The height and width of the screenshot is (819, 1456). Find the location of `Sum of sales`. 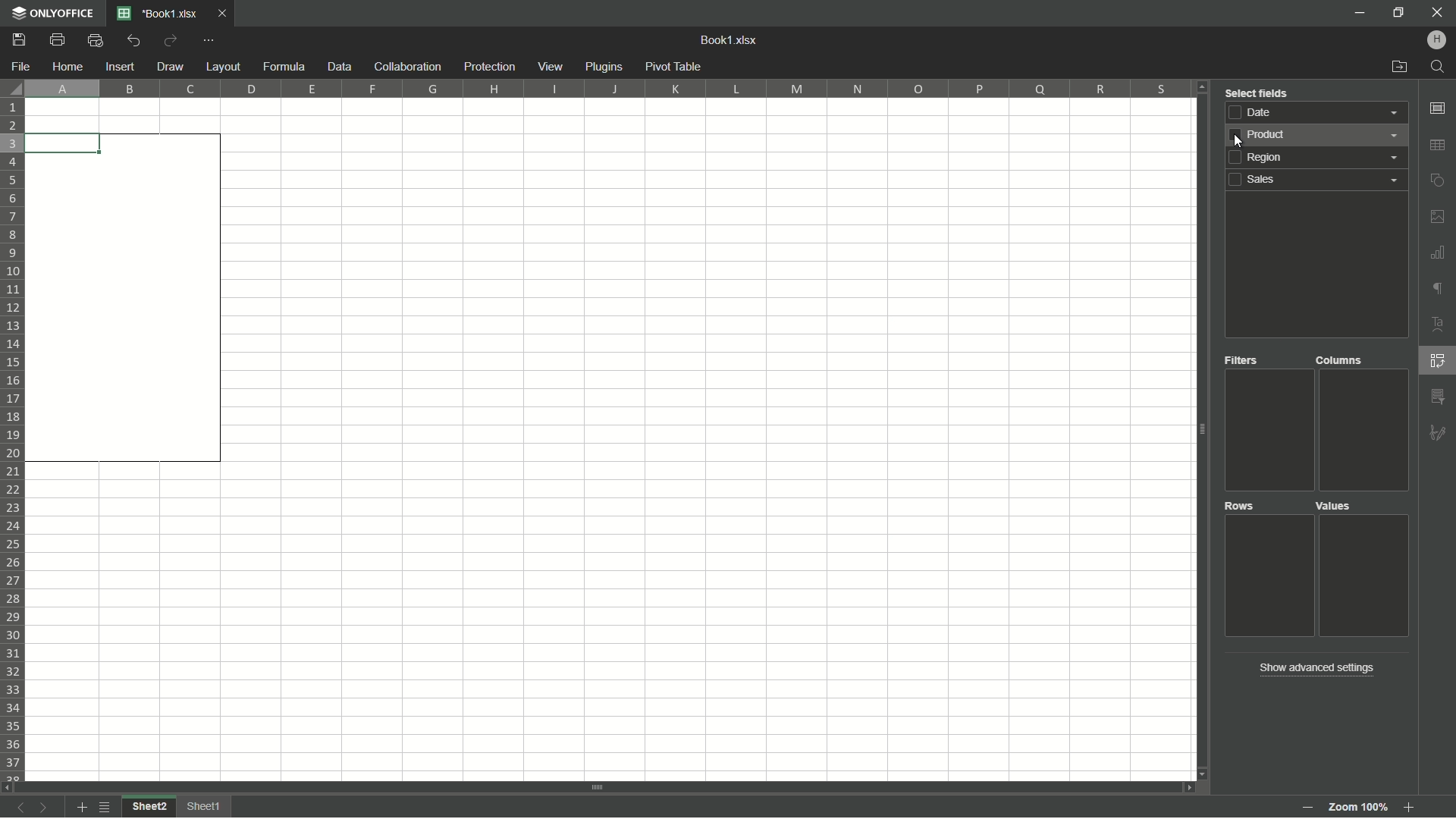

Sum of sales is located at coordinates (1362, 523).